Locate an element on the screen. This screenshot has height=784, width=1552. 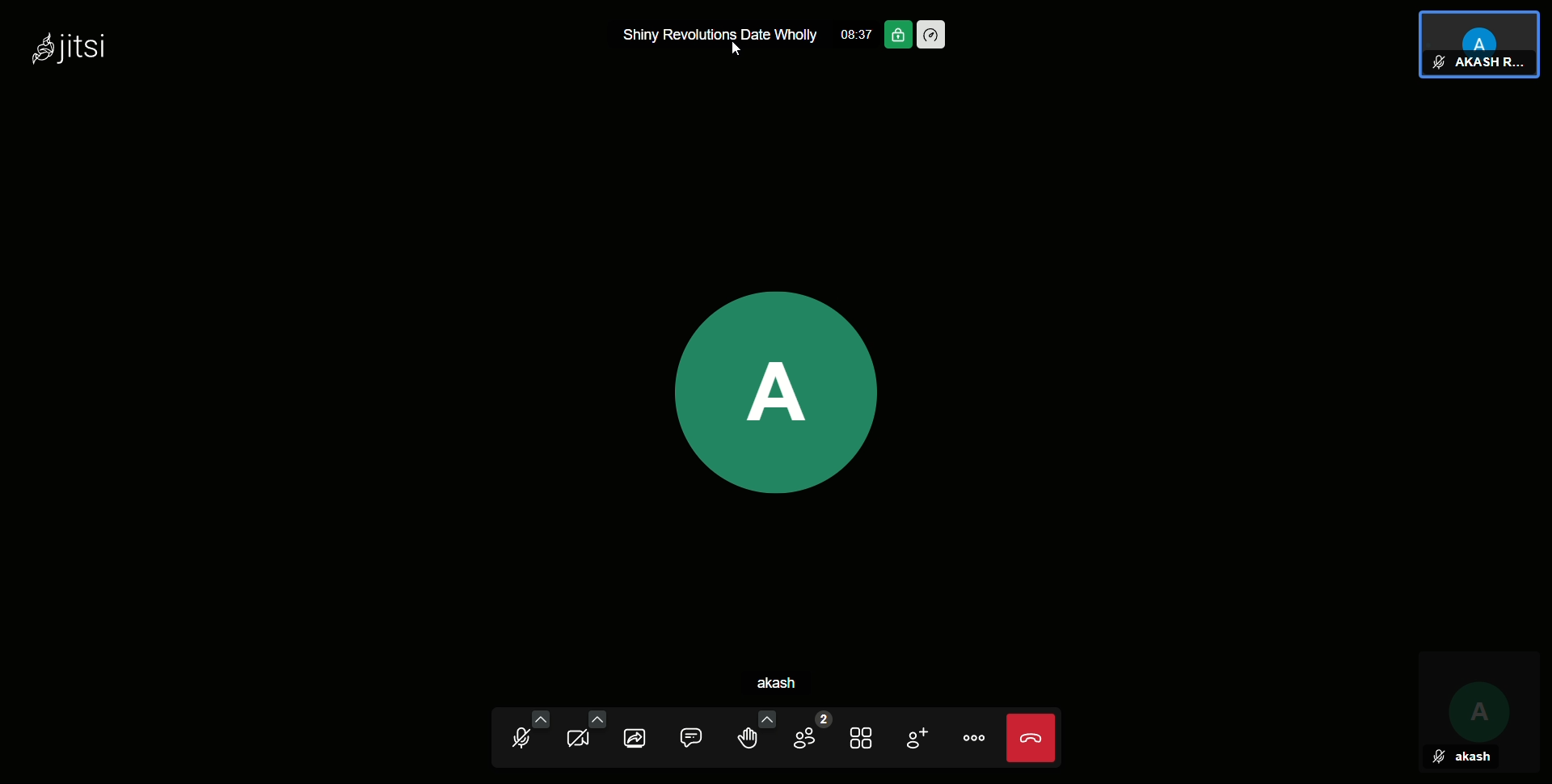
mute is located at coordinates (523, 735).